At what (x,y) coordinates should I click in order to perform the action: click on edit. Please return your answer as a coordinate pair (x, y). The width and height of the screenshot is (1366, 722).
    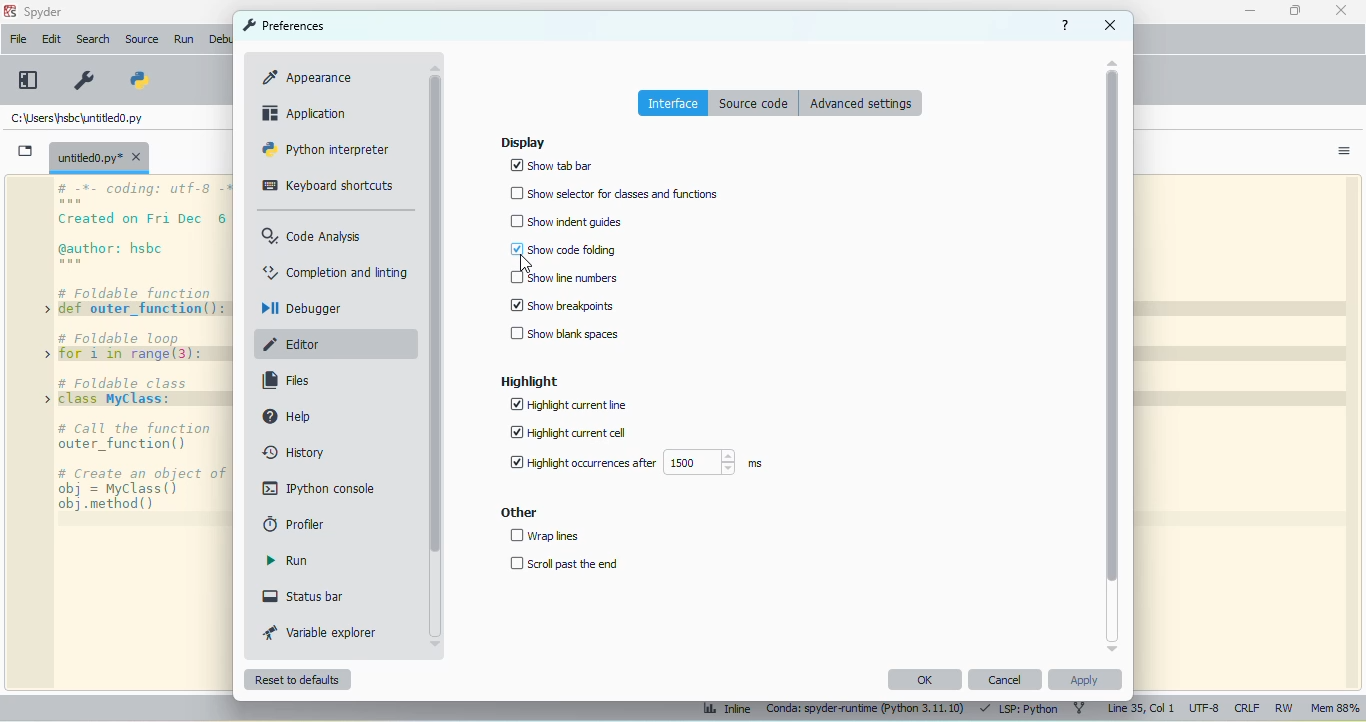
    Looking at the image, I should click on (50, 38).